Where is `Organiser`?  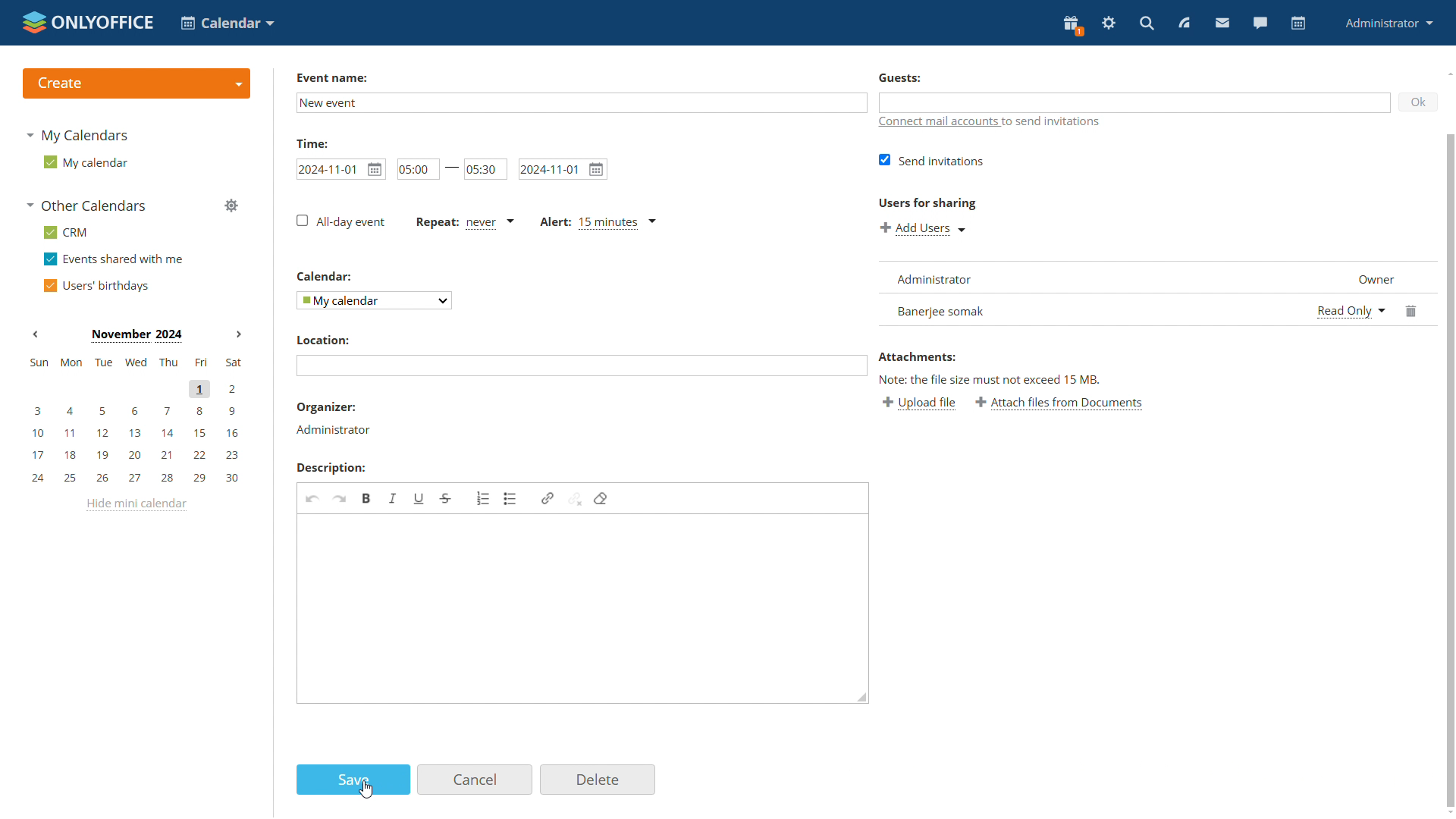 Organiser is located at coordinates (328, 406).